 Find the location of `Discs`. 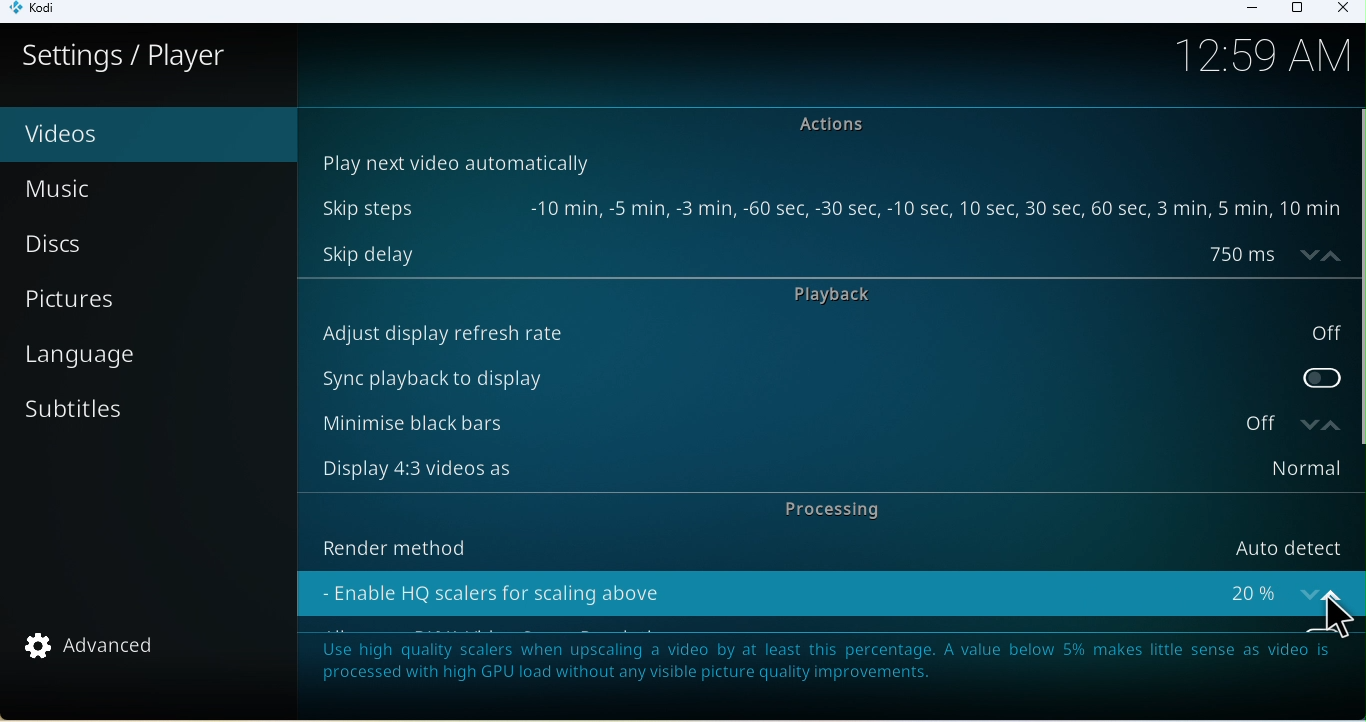

Discs is located at coordinates (136, 242).